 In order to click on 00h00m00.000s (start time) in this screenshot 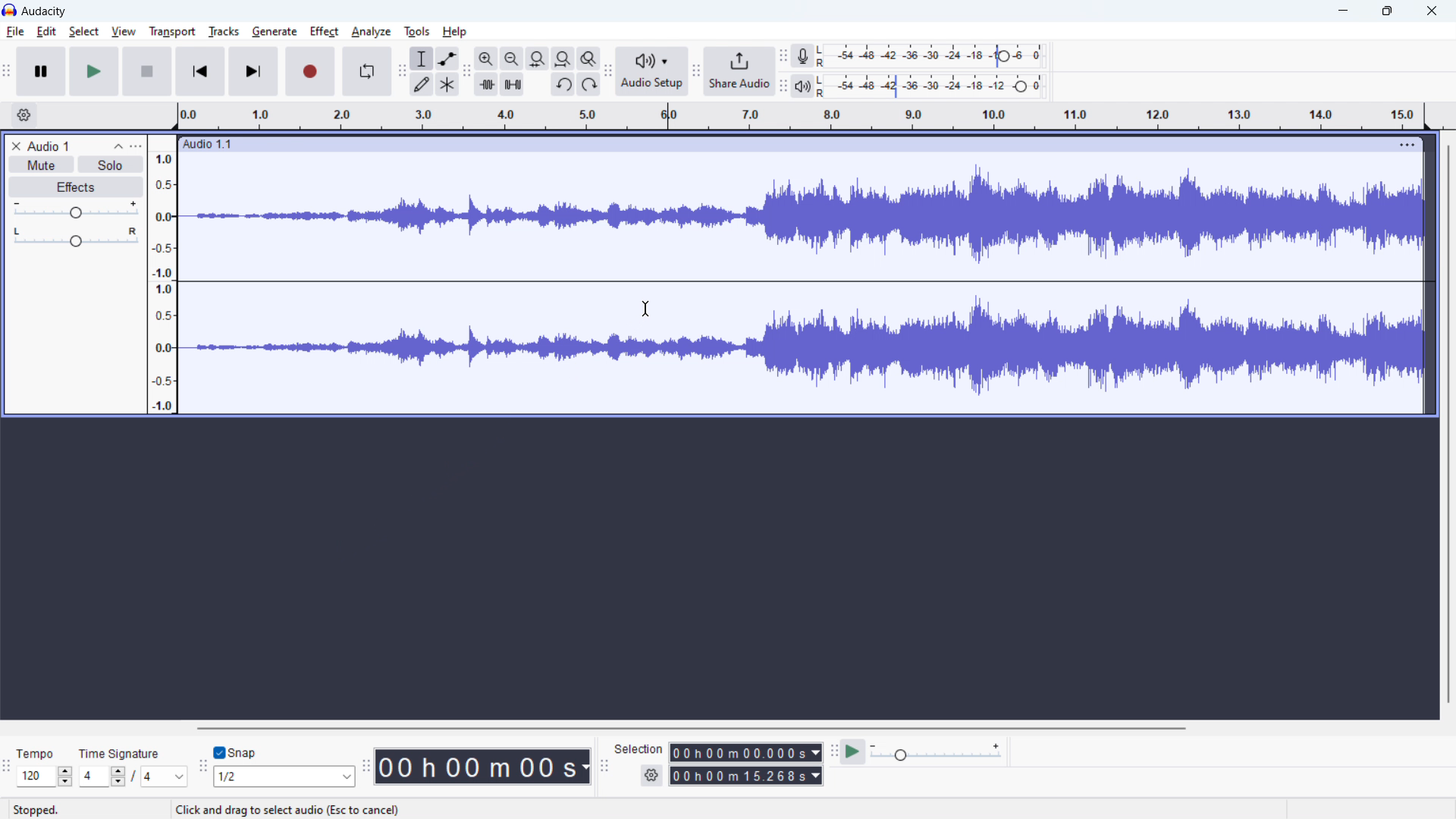, I will do `click(745, 748)`.